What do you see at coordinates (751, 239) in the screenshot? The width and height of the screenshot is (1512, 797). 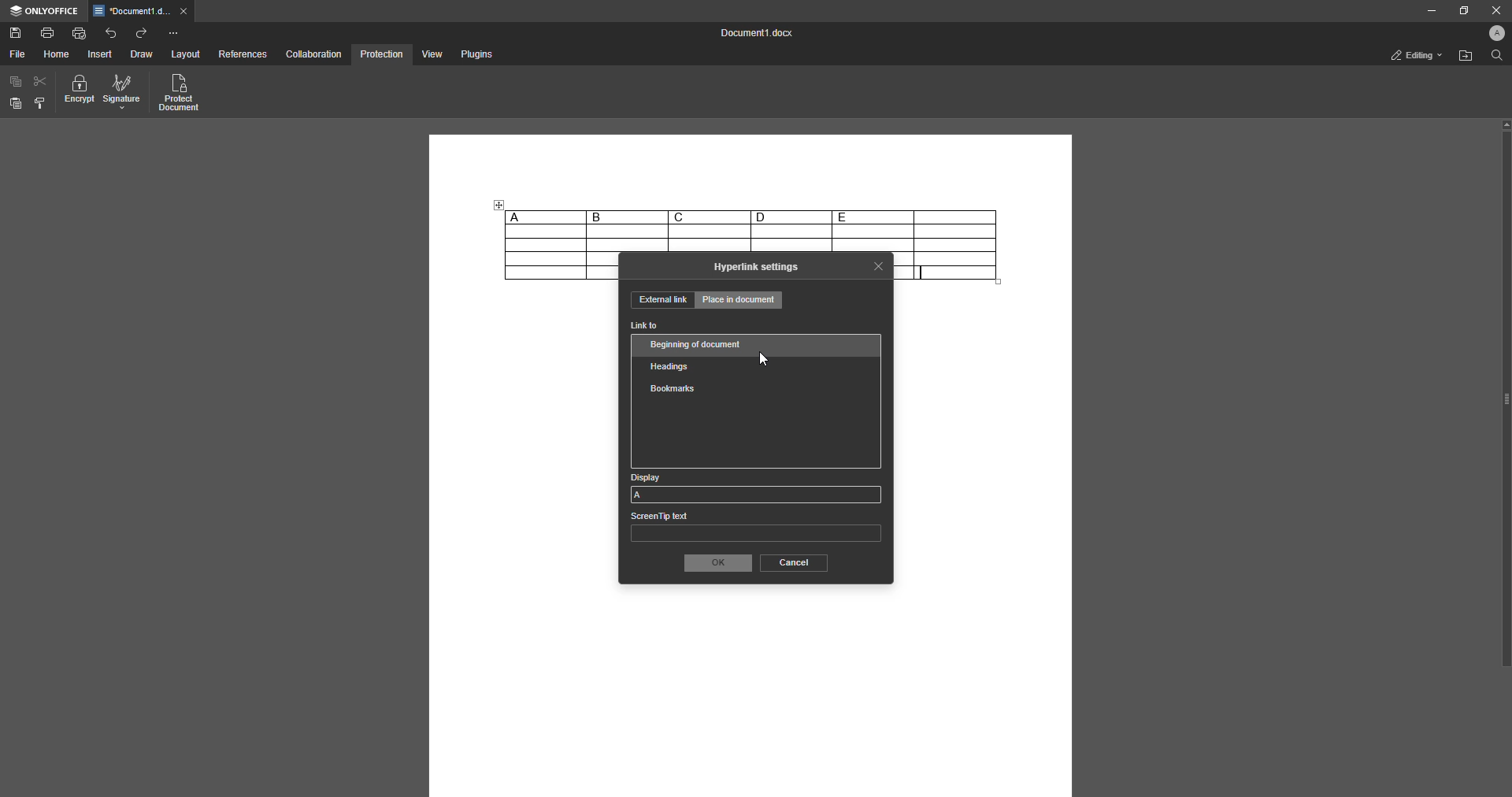 I see `Cells` at bounding box center [751, 239].